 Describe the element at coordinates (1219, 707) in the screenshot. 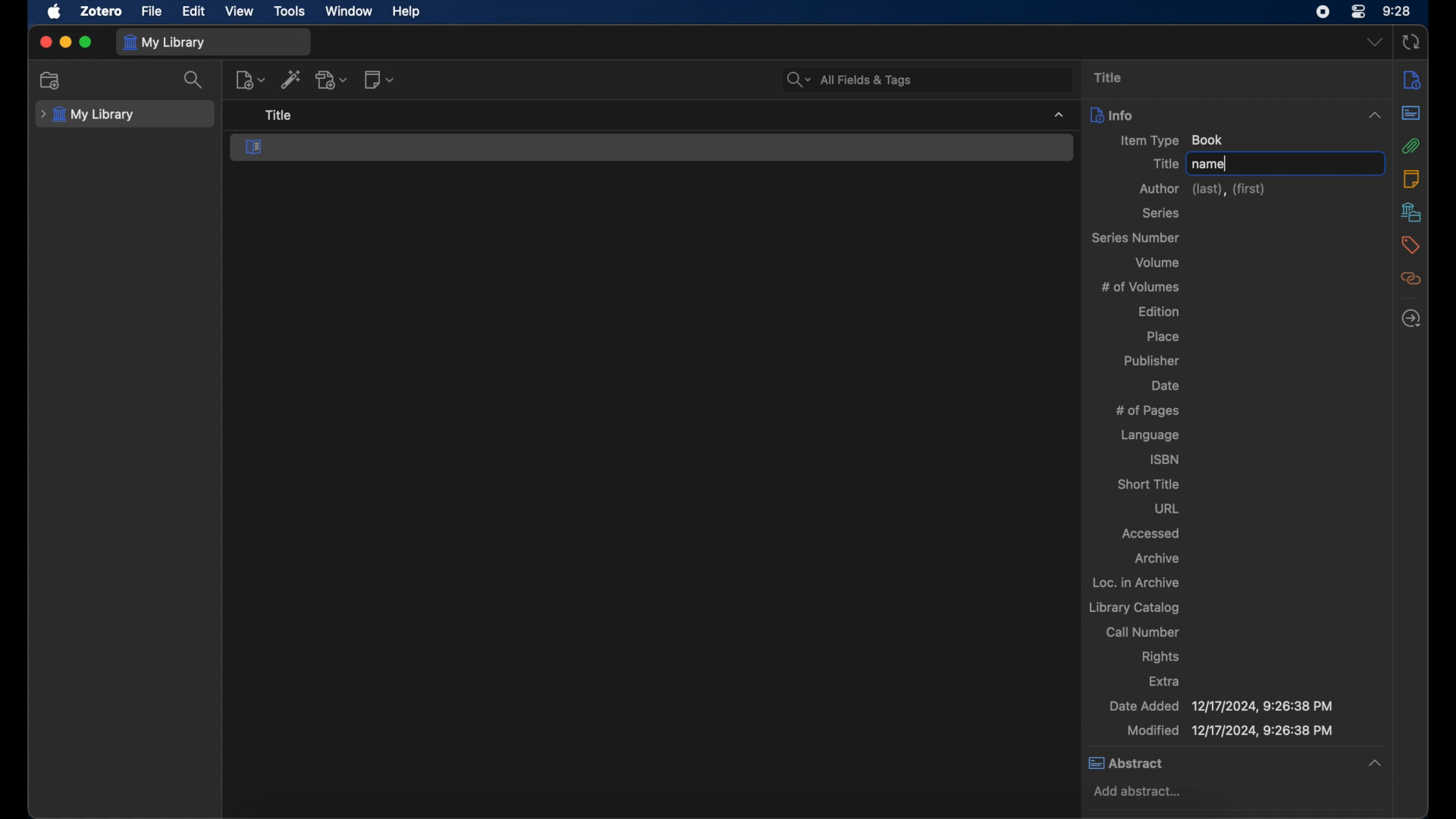

I see `date added` at that location.